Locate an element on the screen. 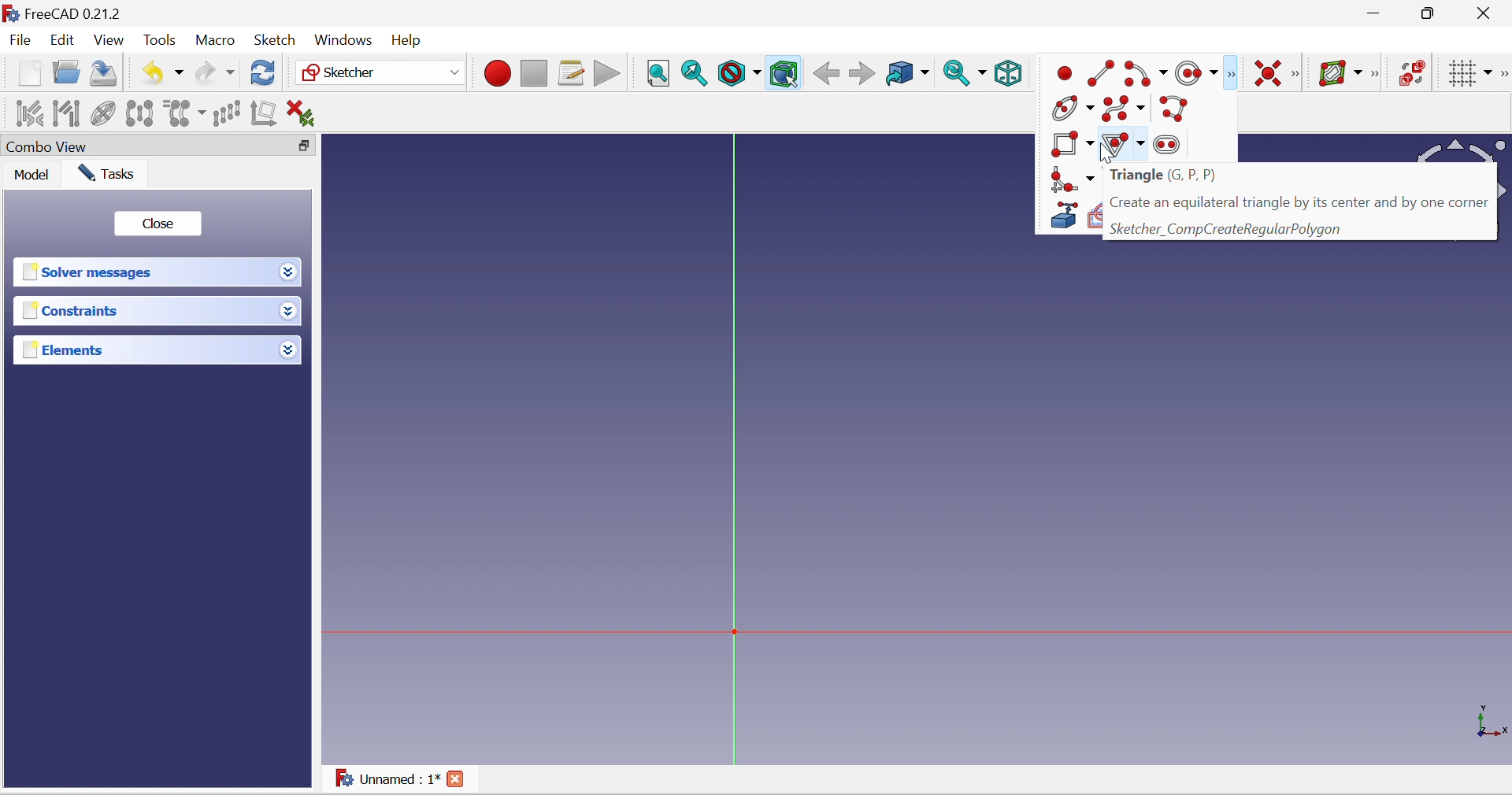 Image resolution: width=1512 pixels, height=795 pixels. Create an equilateral triangle by its center and by one corner is located at coordinates (1299, 203).